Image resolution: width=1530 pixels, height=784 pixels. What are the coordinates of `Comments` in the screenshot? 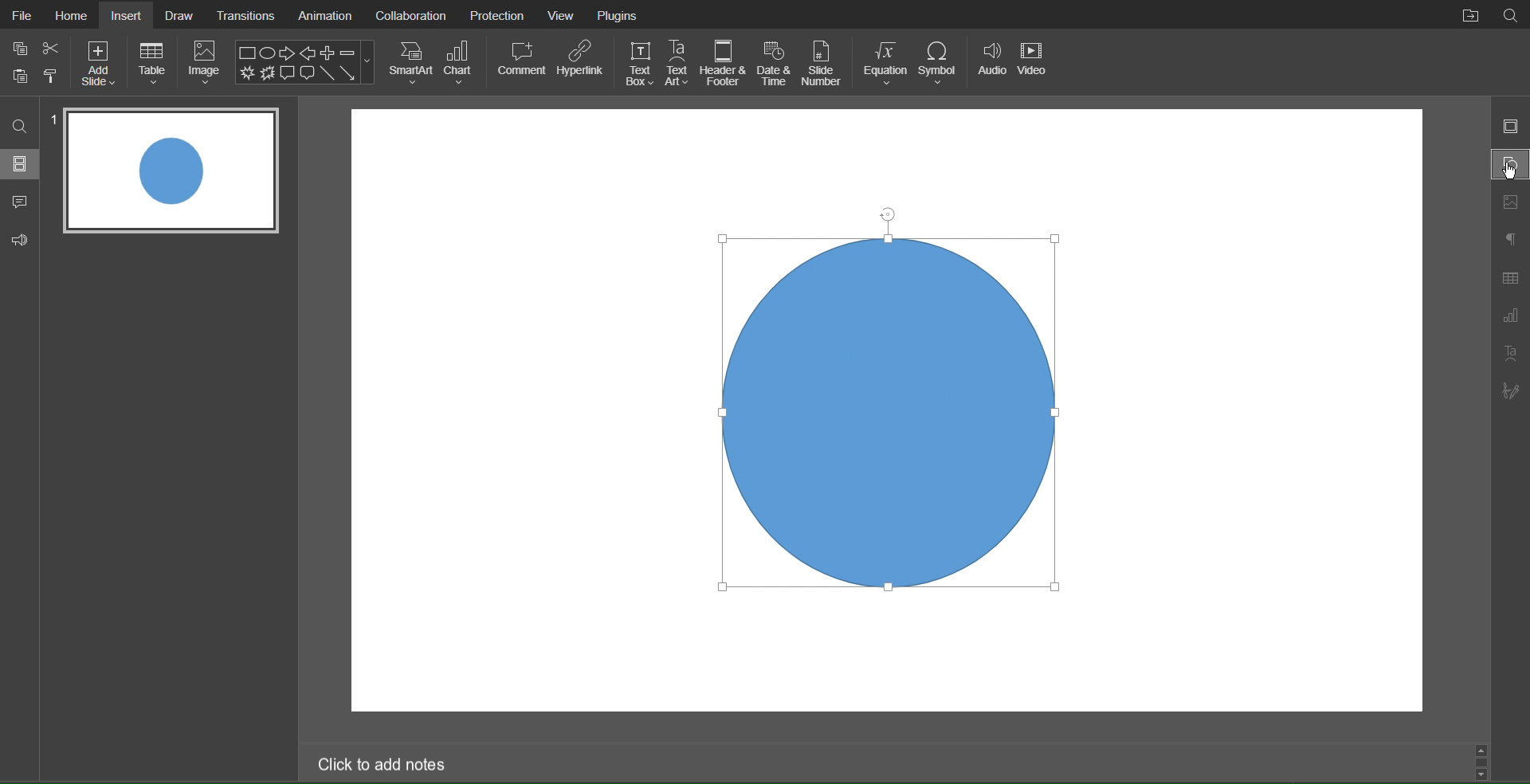 It's located at (18, 202).